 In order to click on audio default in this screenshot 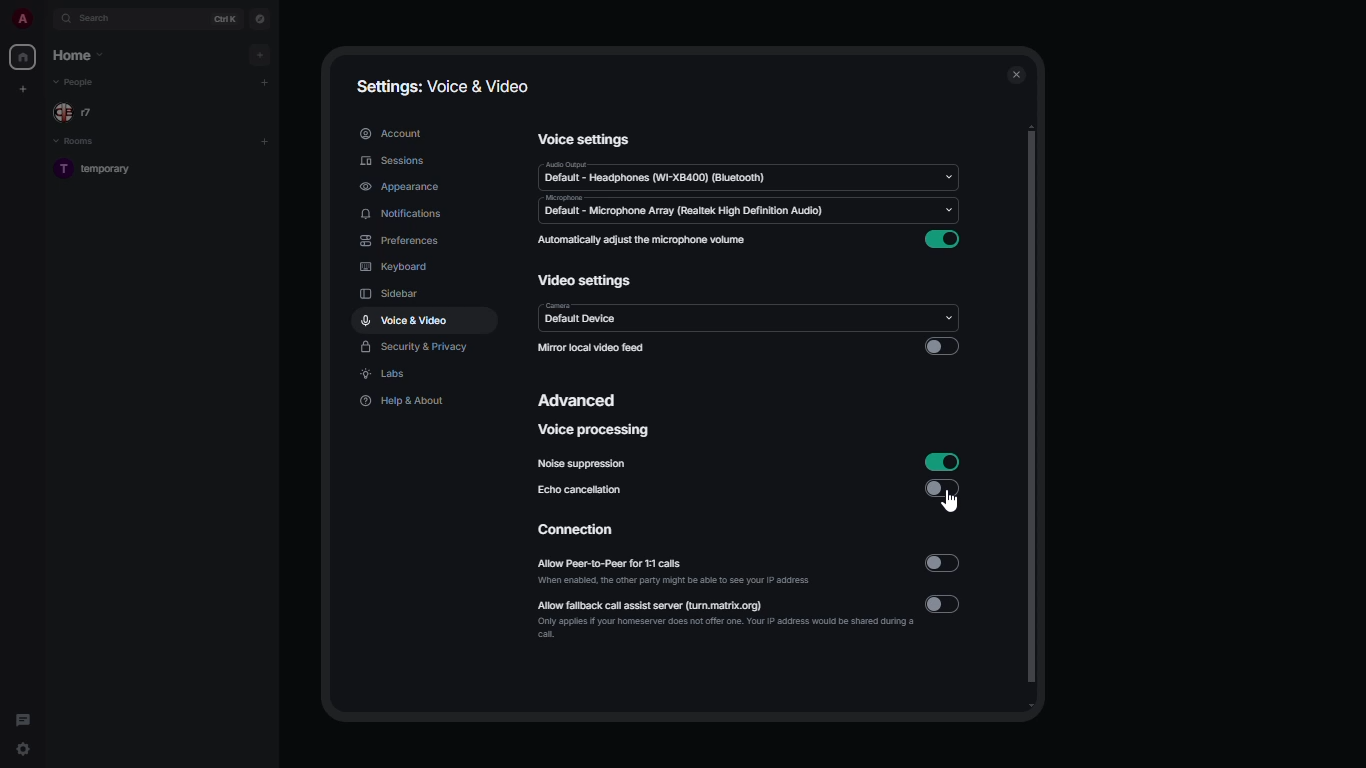, I will do `click(657, 173)`.